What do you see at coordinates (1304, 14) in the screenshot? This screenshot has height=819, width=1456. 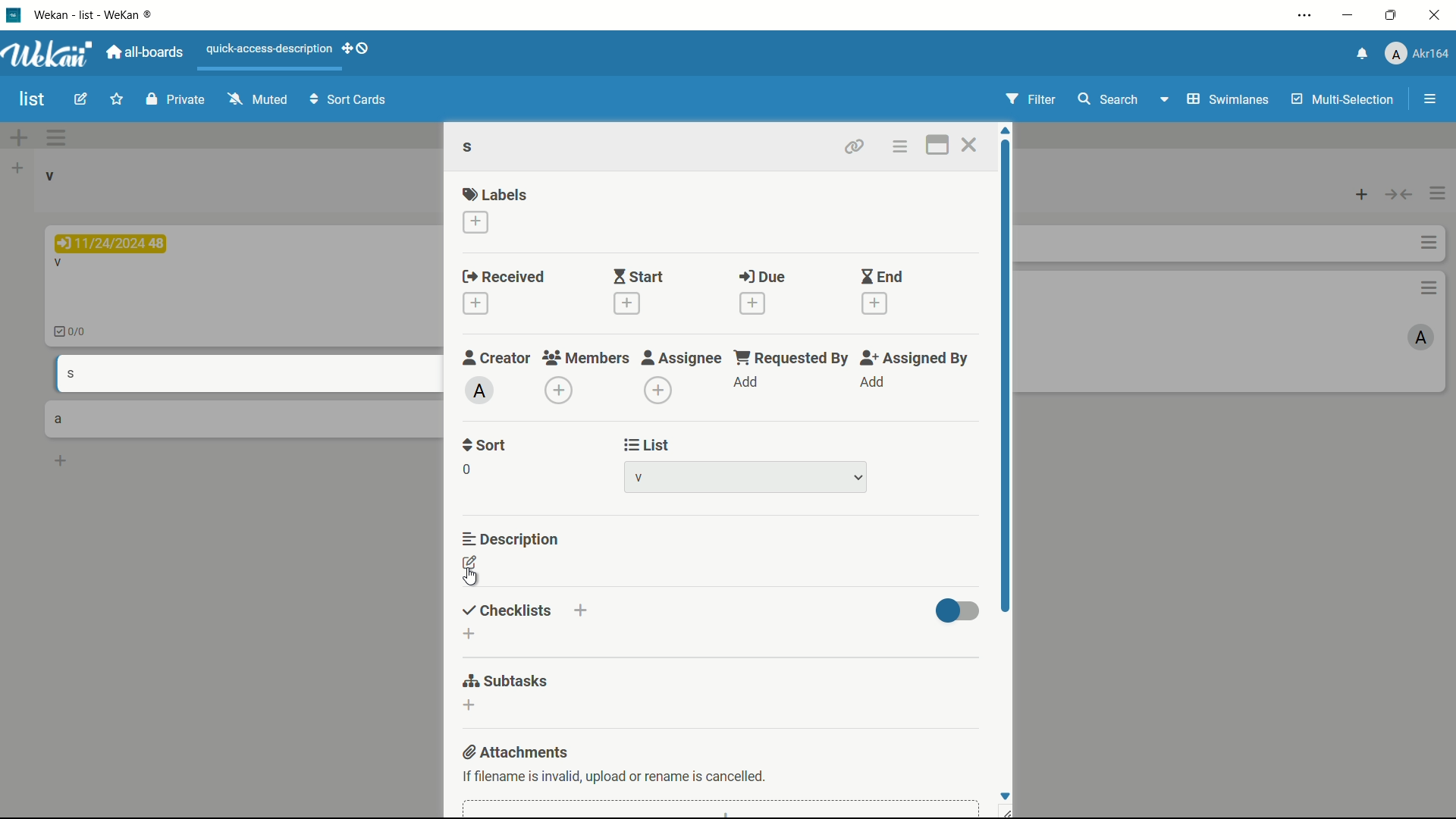 I see `settings and more` at bounding box center [1304, 14].